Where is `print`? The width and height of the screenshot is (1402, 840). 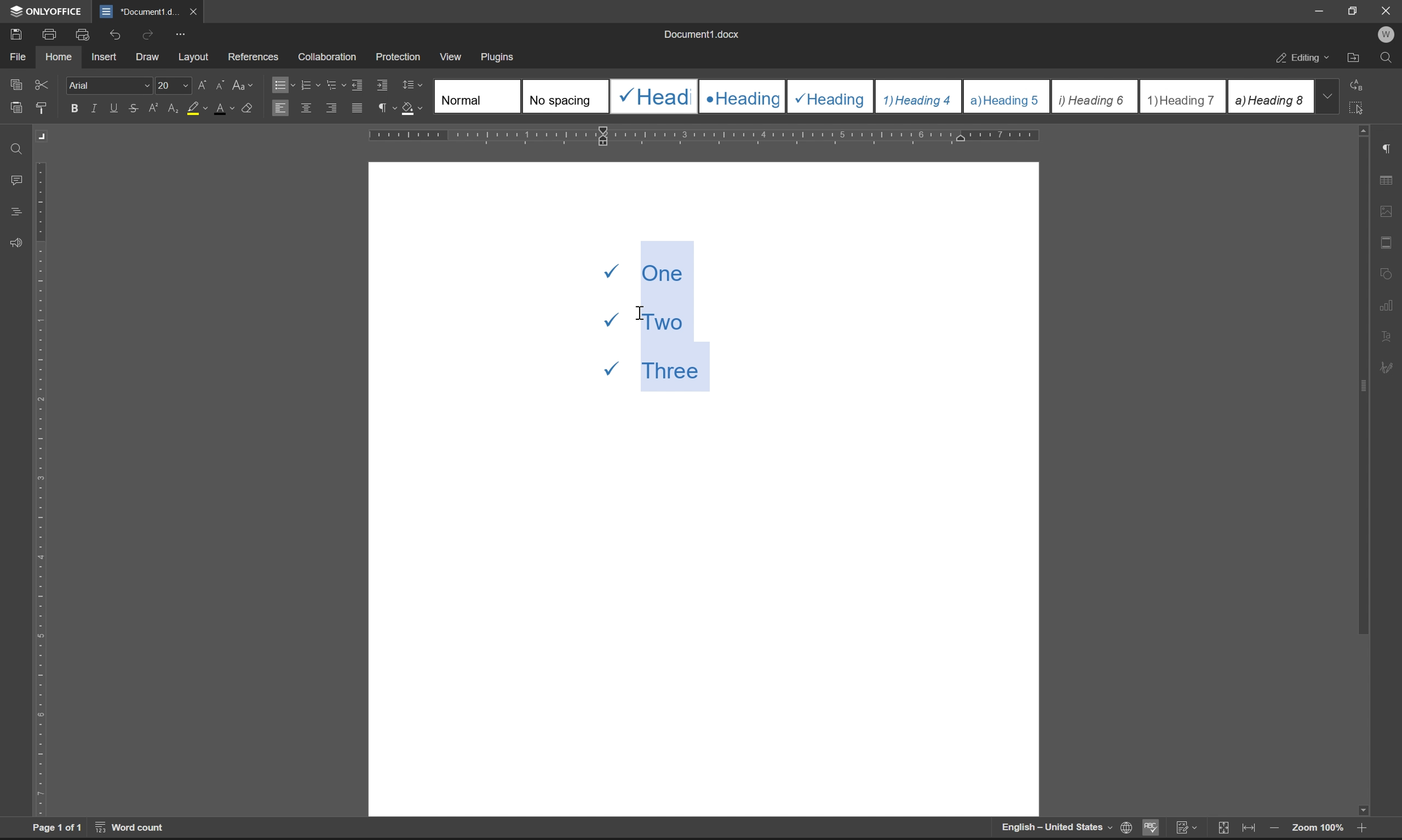
print is located at coordinates (53, 33).